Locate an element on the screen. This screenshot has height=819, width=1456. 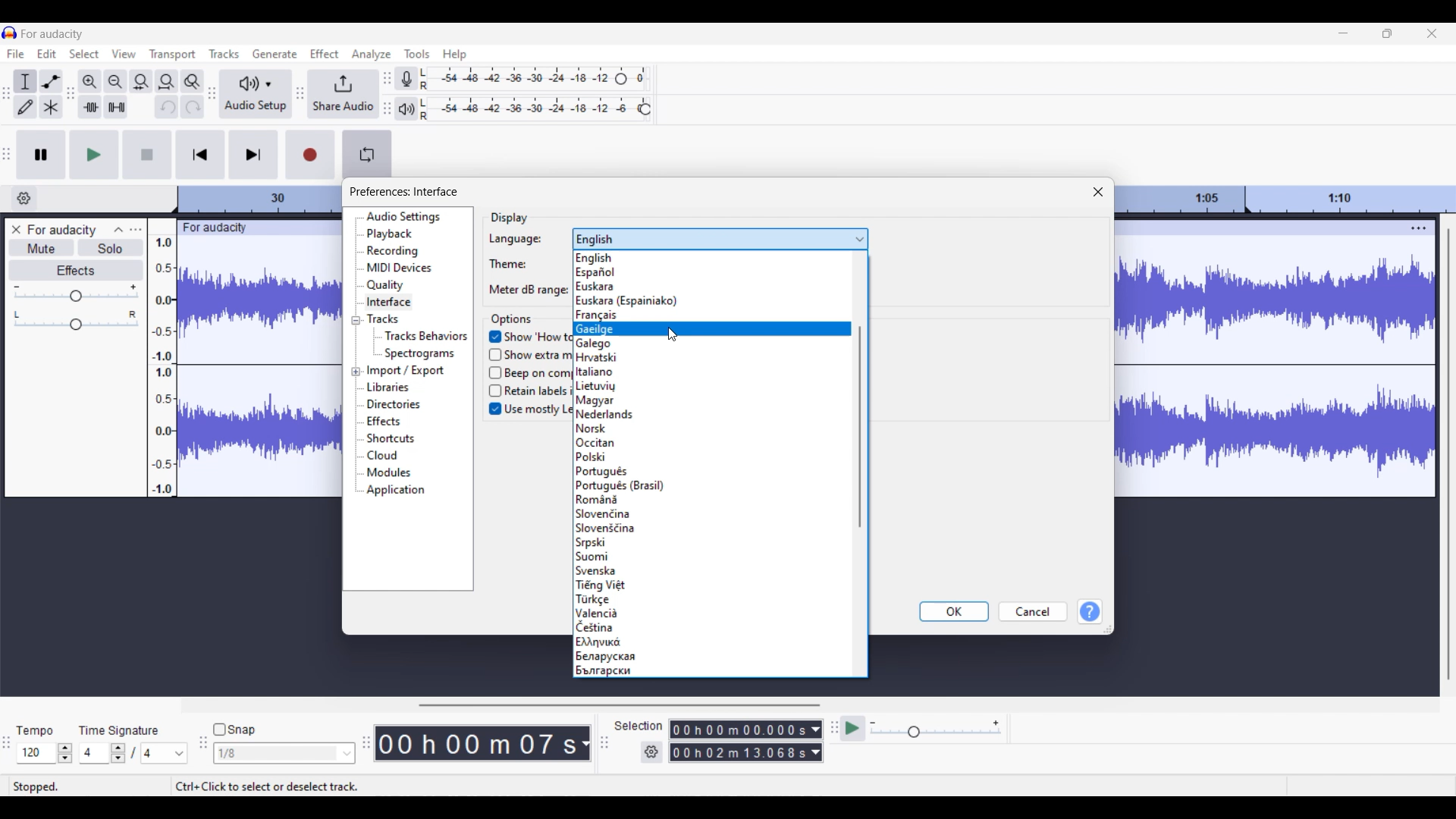
Close interface is located at coordinates (1432, 33).